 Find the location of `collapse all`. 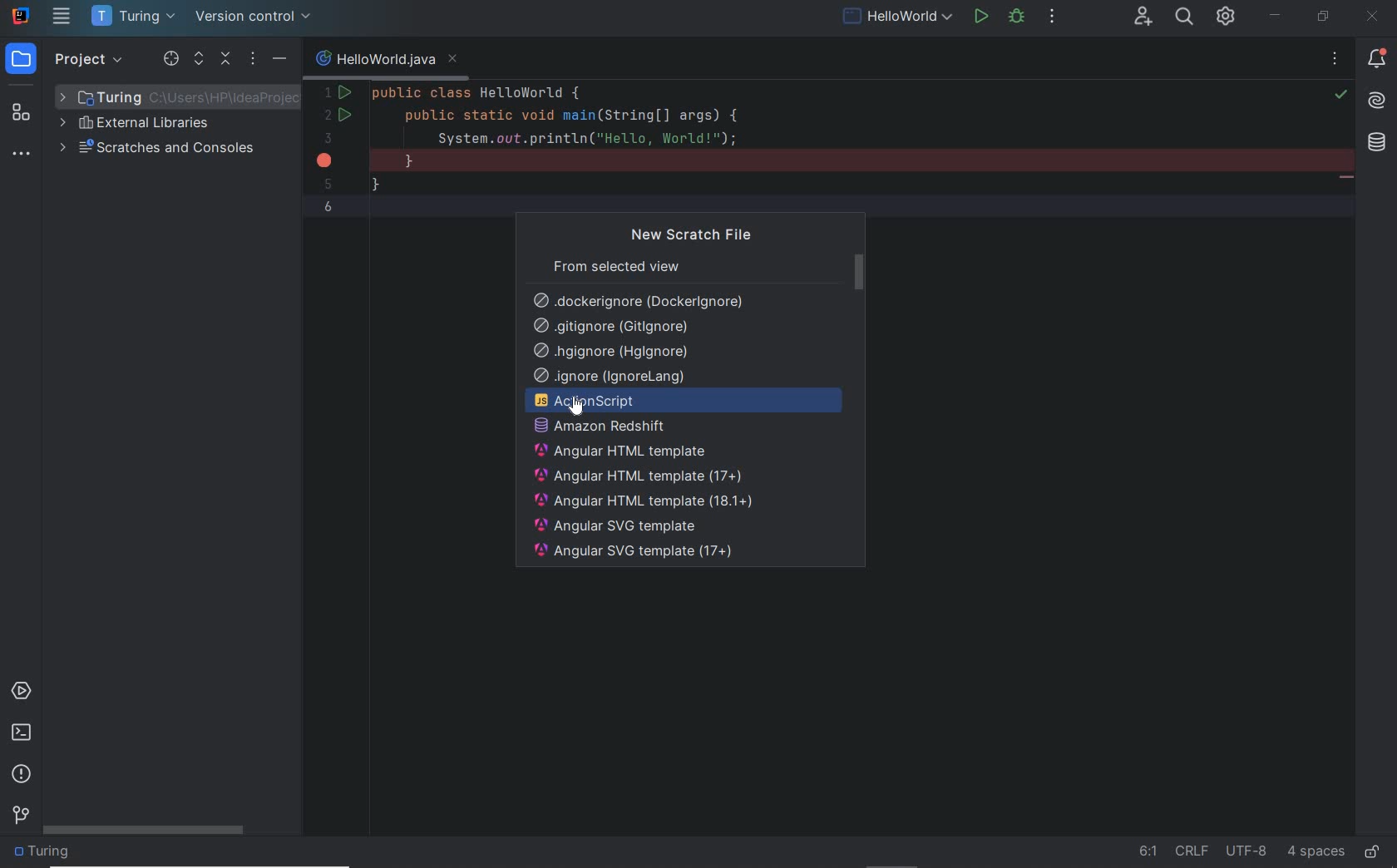

collapse all is located at coordinates (227, 60).